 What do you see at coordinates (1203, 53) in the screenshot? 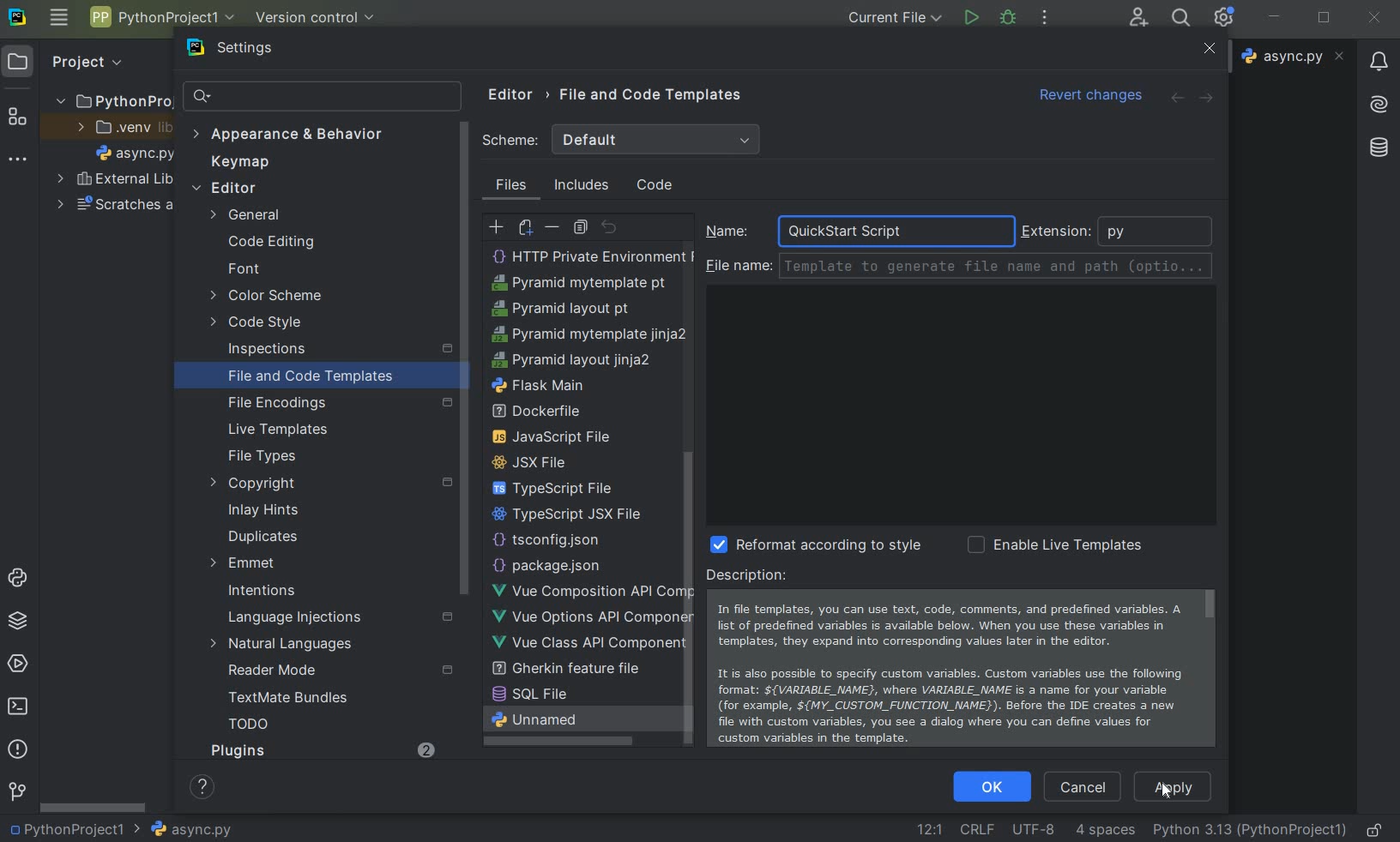
I see `close` at bounding box center [1203, 53].